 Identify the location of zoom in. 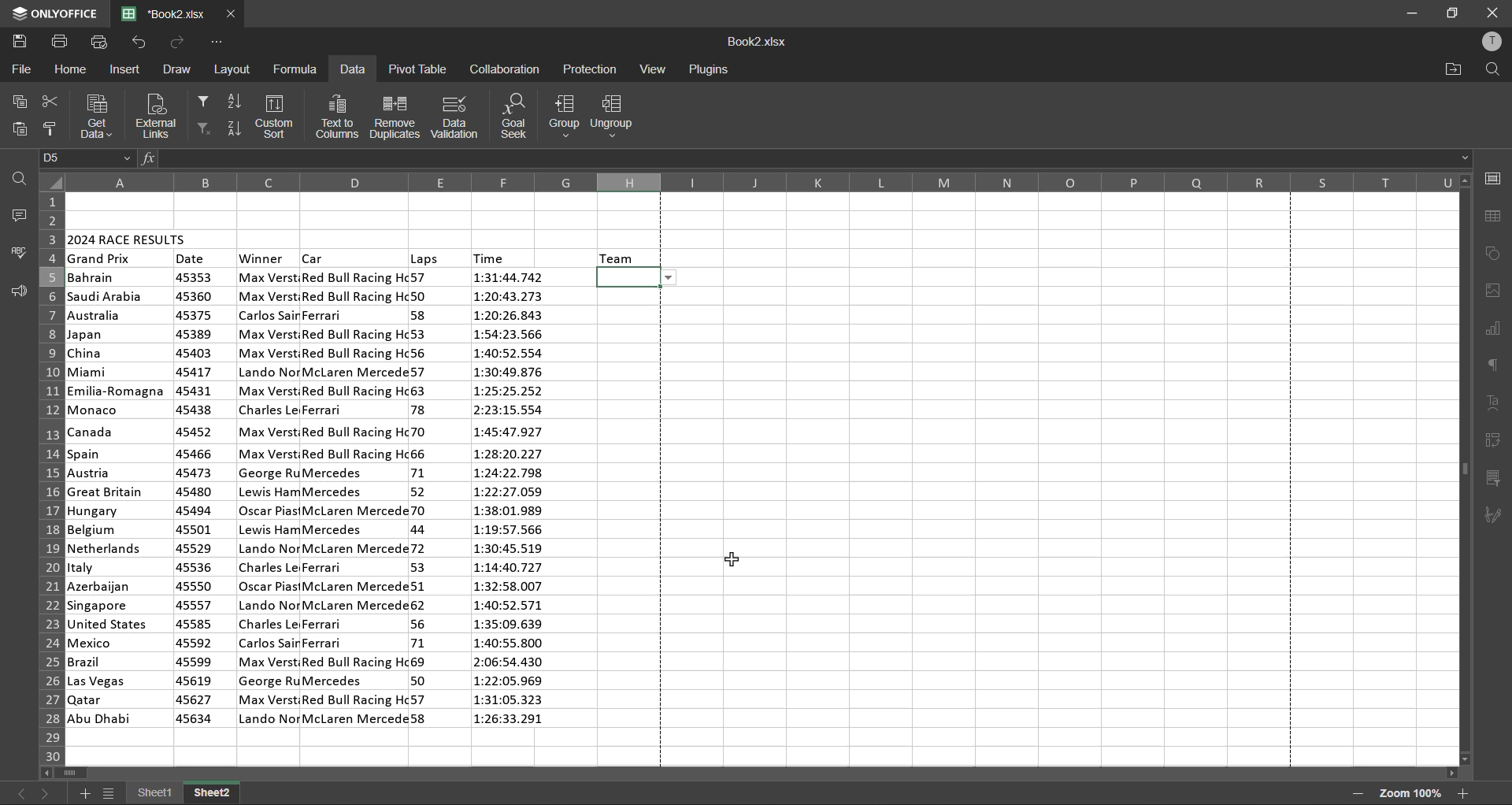
(1463, 793).